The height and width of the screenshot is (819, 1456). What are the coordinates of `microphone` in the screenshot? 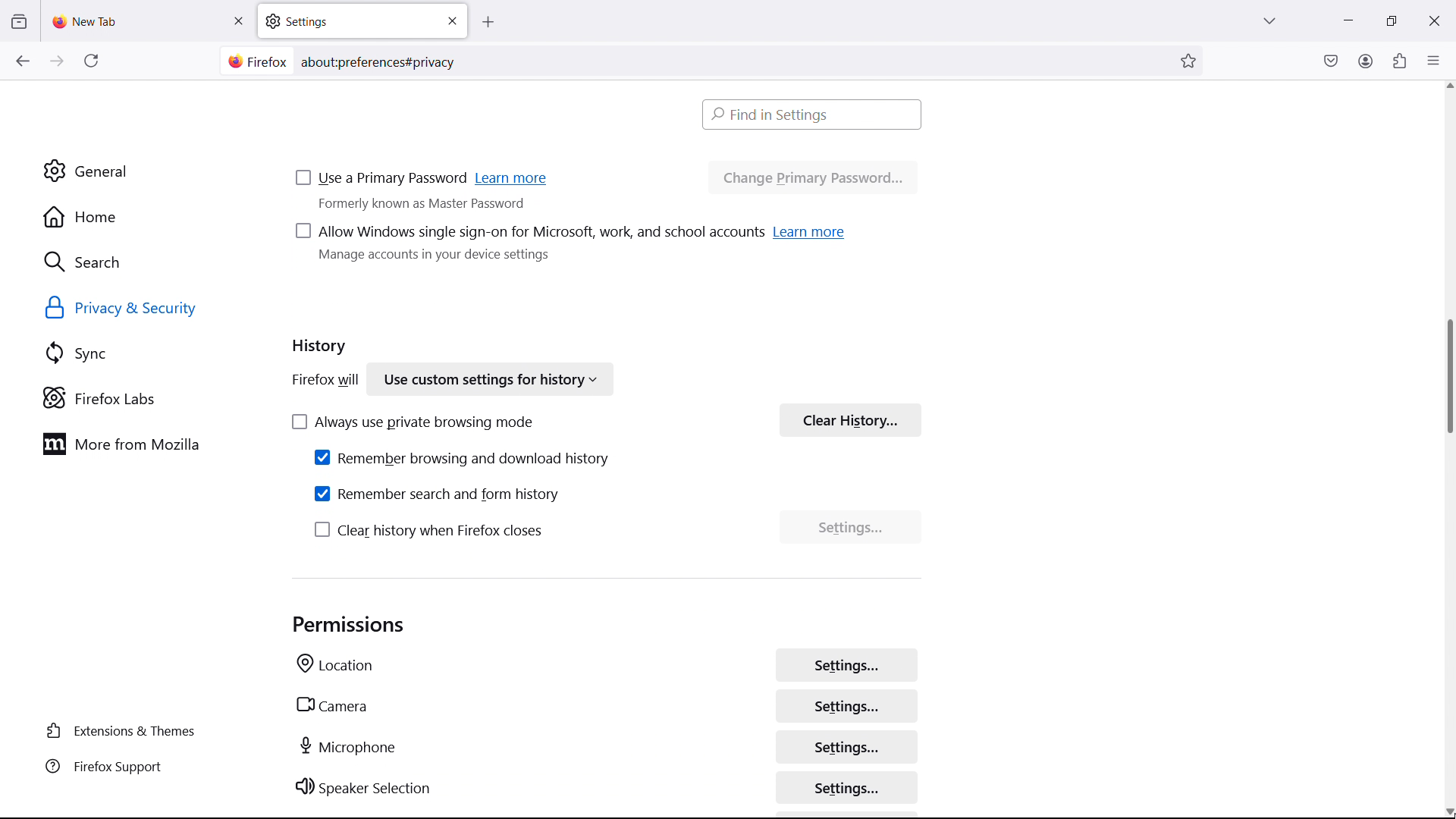 It's located at (350, 744).